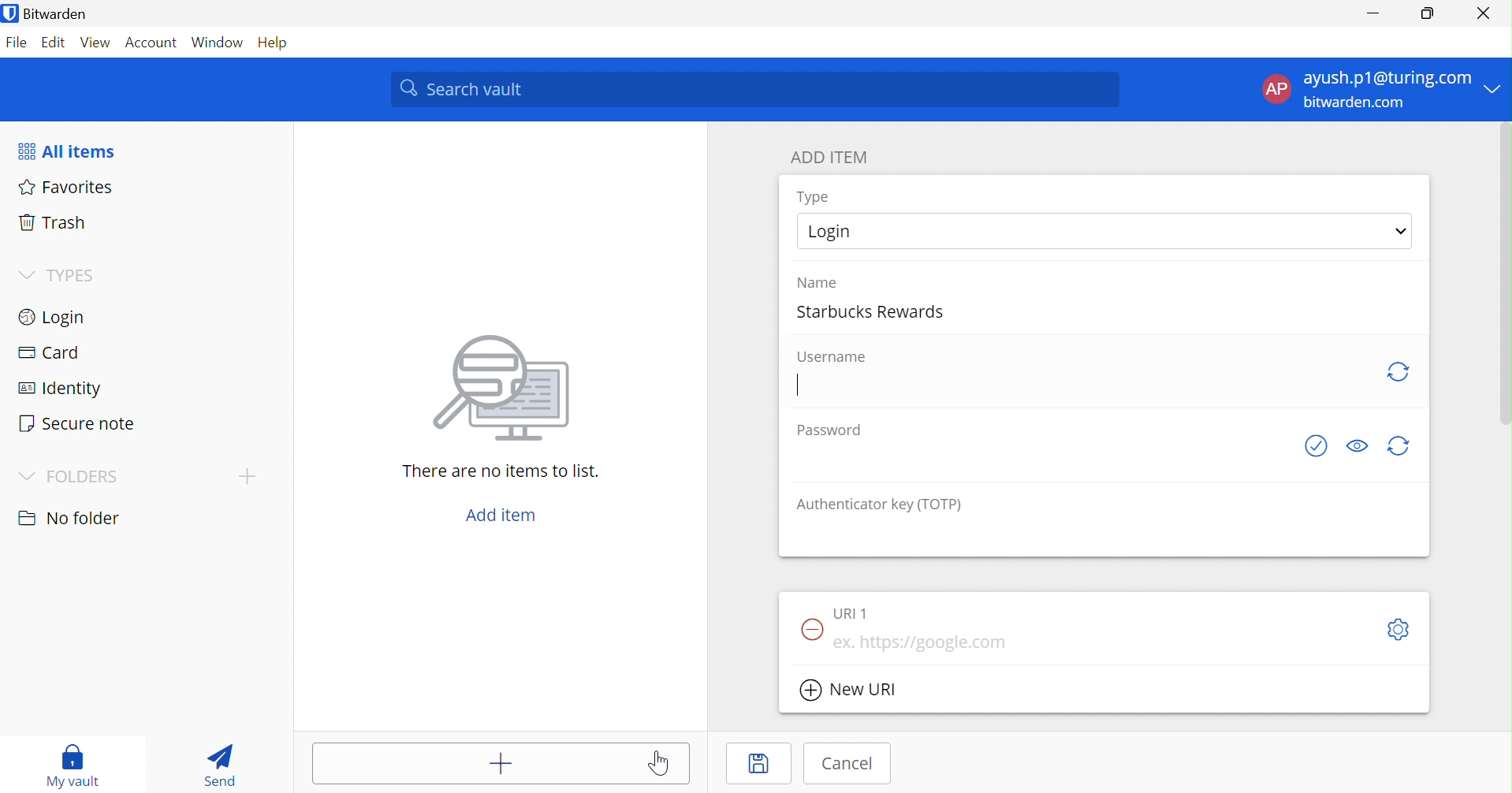 The height and width of the screenshot is (793, 1512). I want to click on Search vault, so click(754, 90).